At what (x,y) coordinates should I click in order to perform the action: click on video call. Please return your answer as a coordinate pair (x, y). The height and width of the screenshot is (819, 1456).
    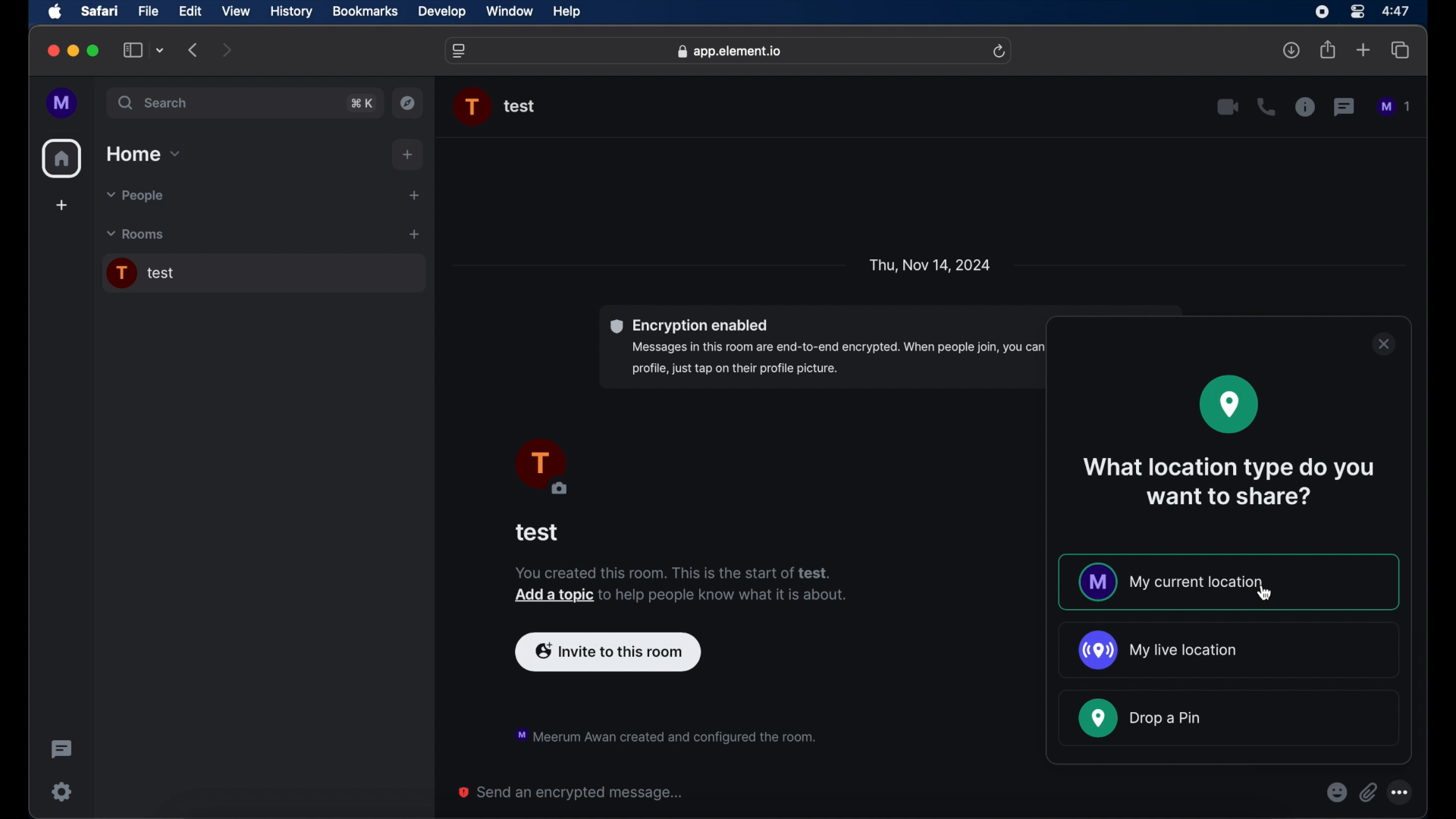
    Looking at the image, I should click on (1228, 107).